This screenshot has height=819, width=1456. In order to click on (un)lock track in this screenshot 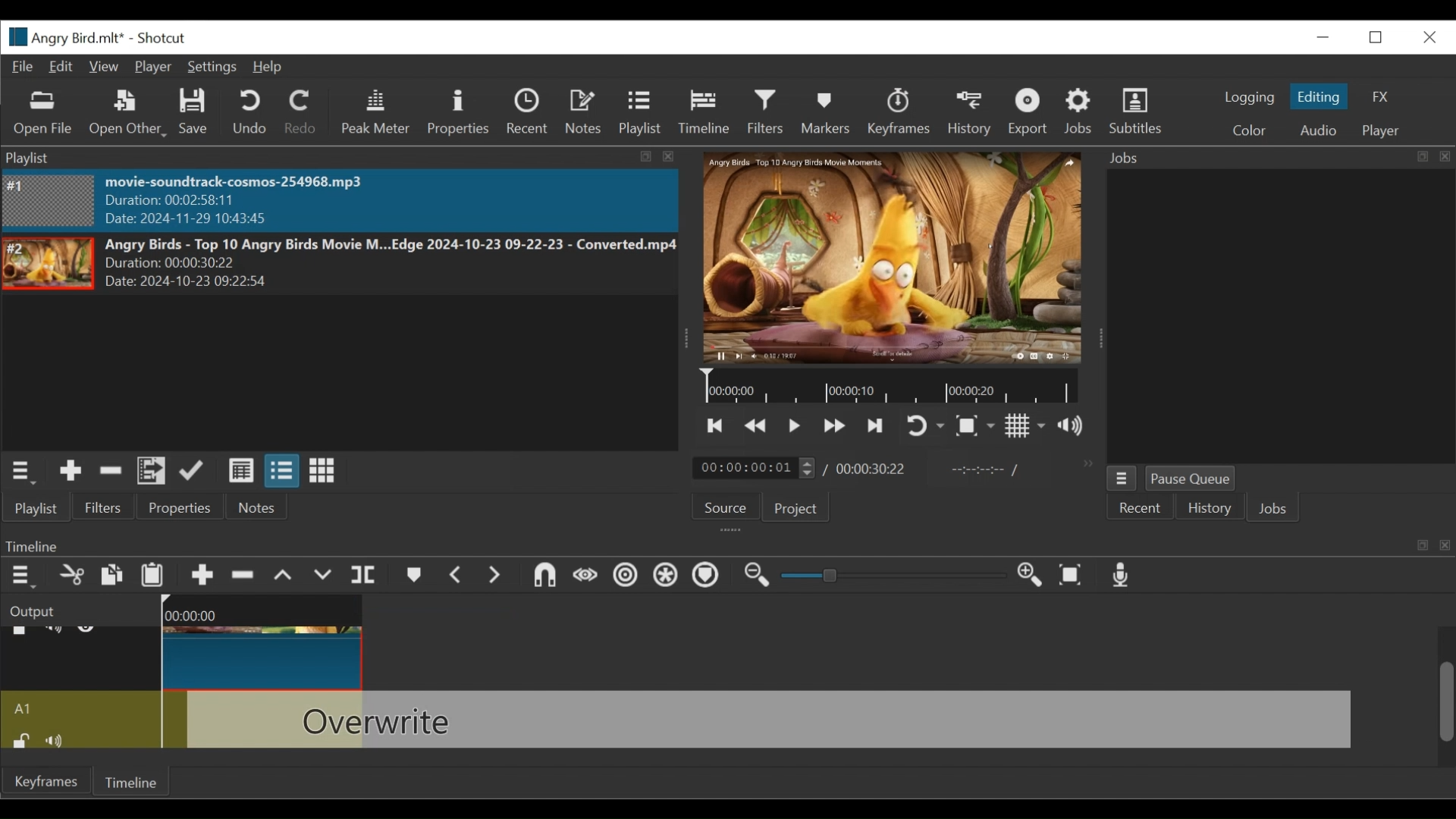, I will do `click(20, 739)`.